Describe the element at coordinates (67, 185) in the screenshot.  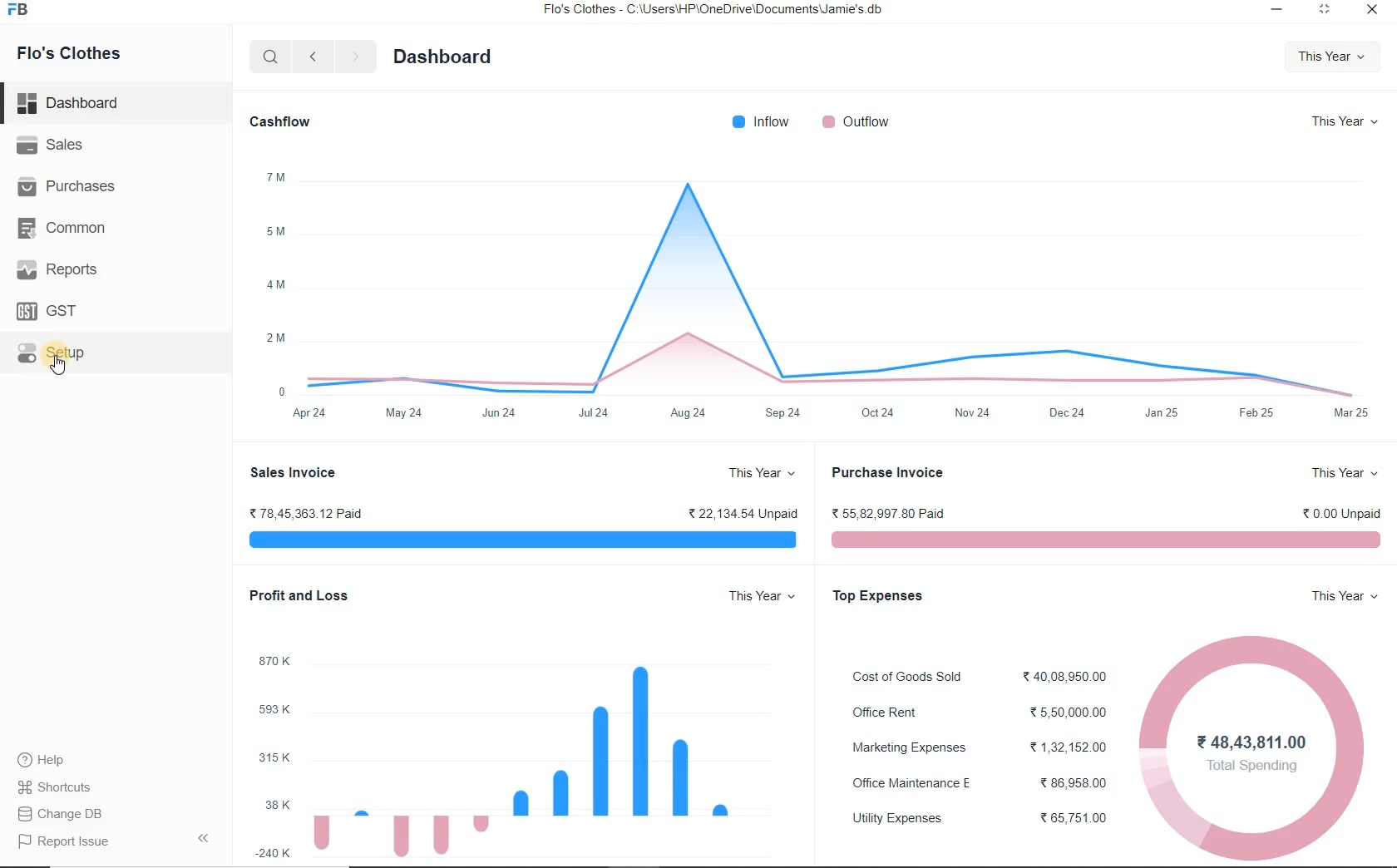
I see `Purchases` at that location.